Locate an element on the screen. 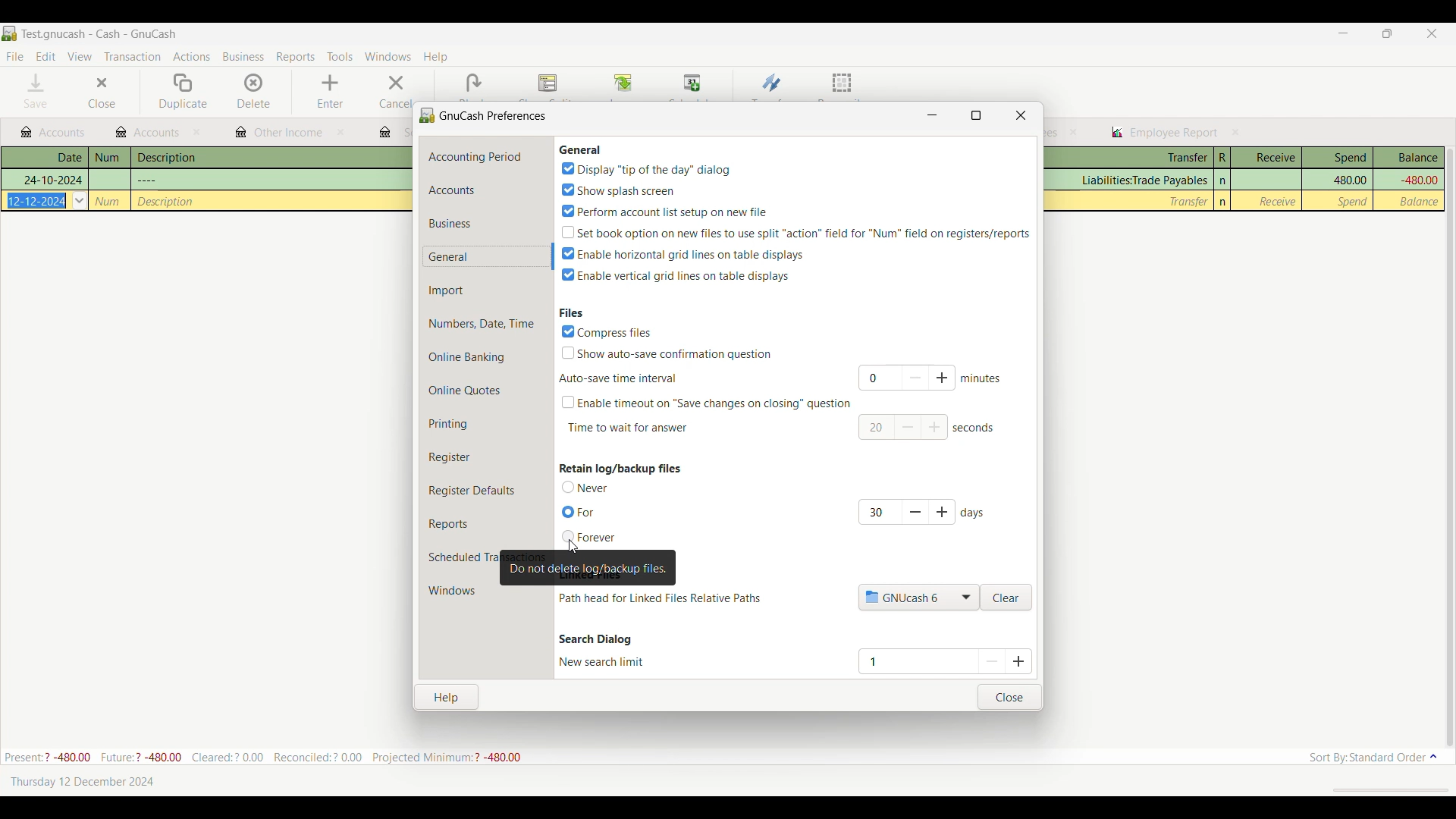   is located at coordinates (52, 180).